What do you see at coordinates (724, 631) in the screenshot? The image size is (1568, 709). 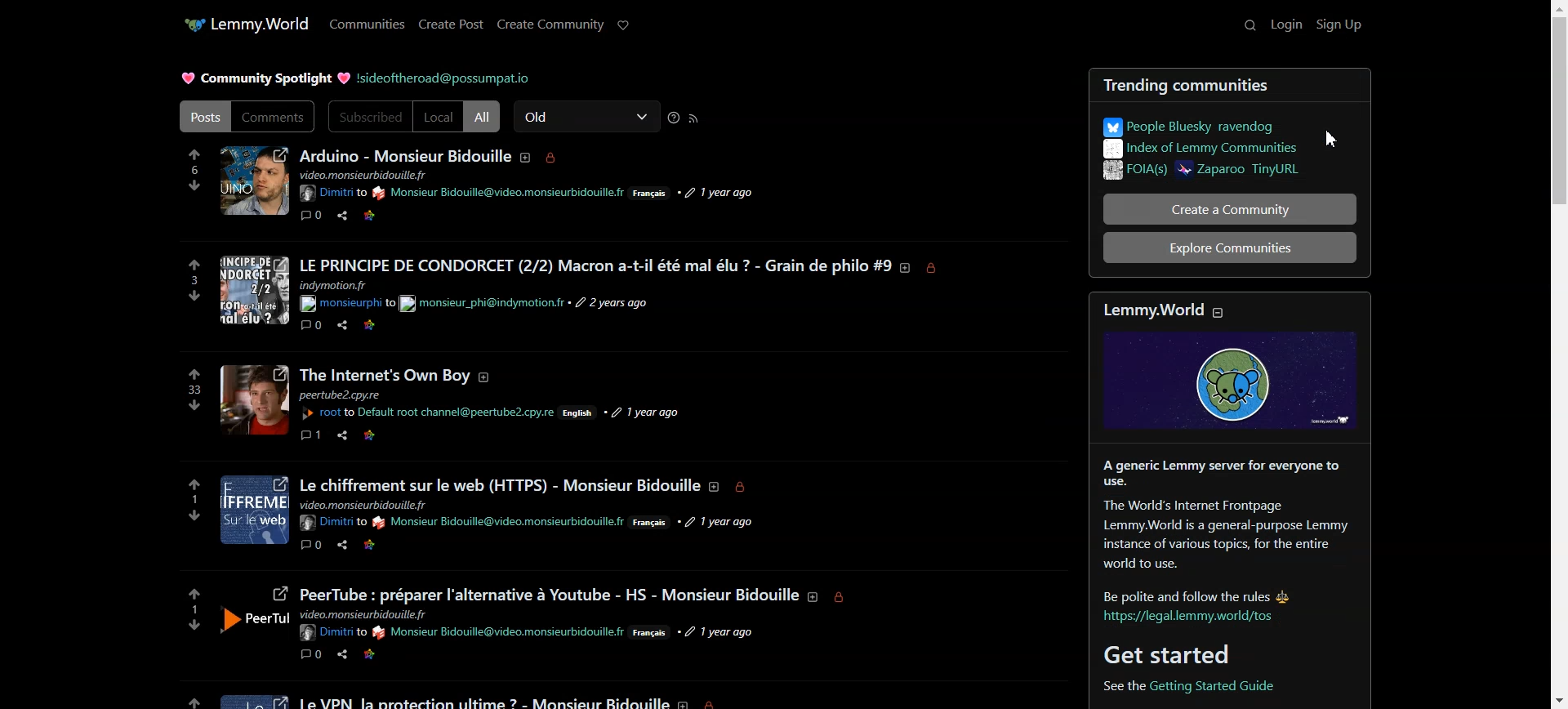 I see `1 year ago` at bounding box center [724, 631].